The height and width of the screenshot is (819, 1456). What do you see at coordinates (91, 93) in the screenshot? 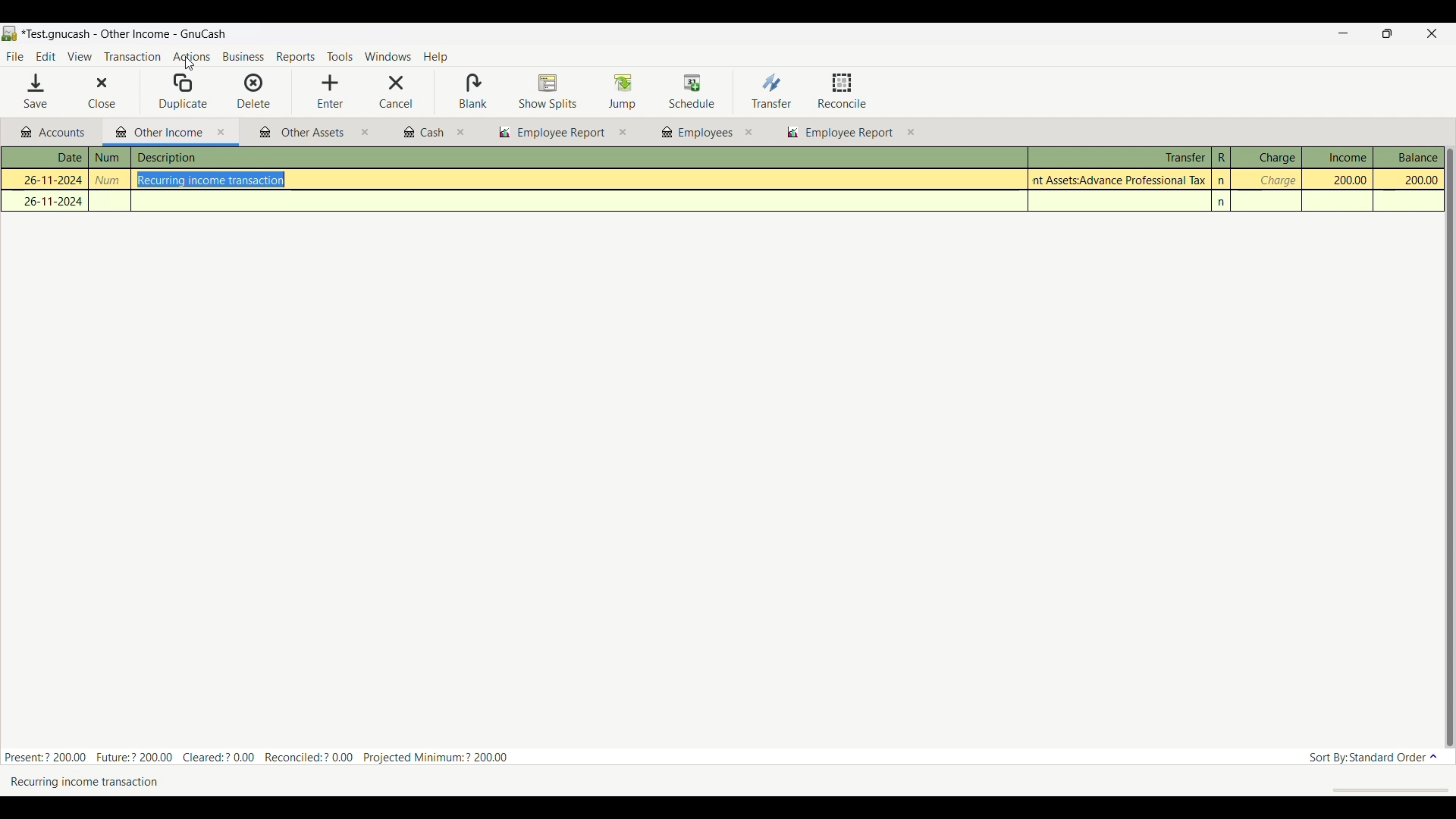
I see `Close` at bounding box center [91, 93].